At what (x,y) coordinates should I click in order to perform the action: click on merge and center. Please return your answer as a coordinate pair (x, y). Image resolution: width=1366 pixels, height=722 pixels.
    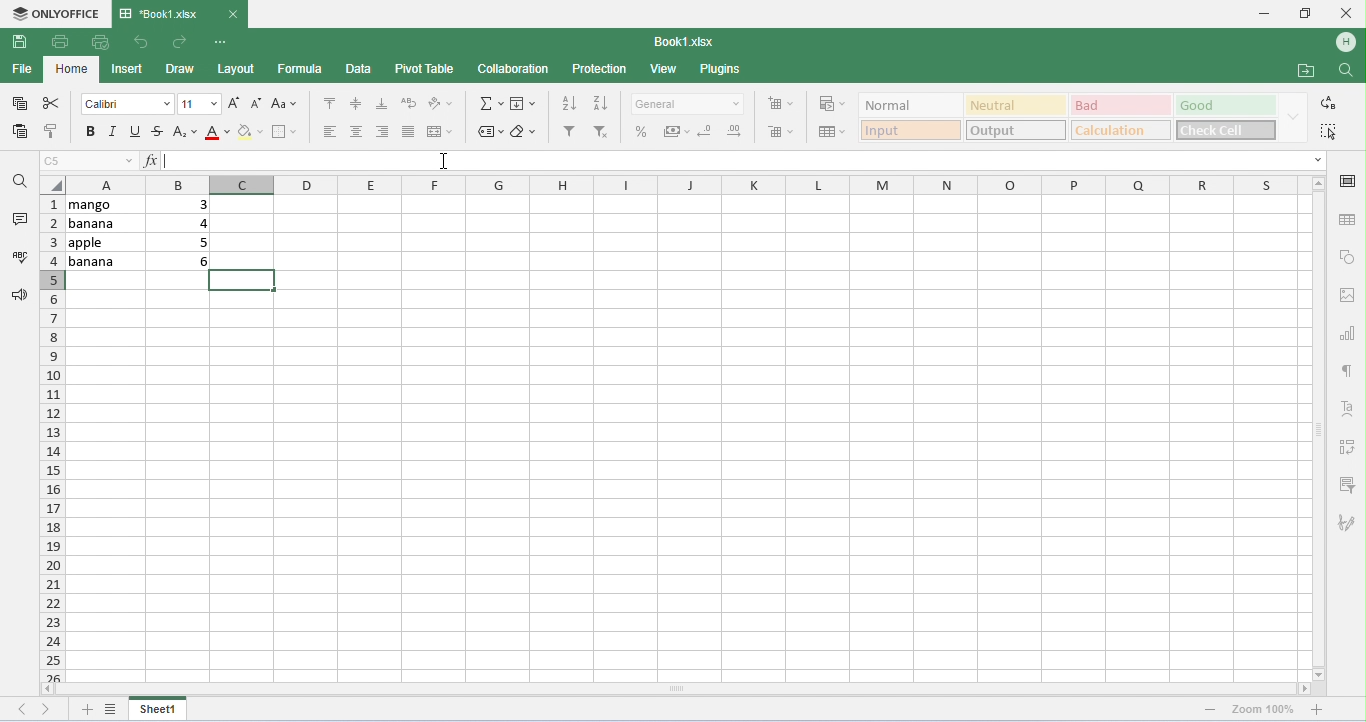
    Looking at the image, I should click on (441, 133).